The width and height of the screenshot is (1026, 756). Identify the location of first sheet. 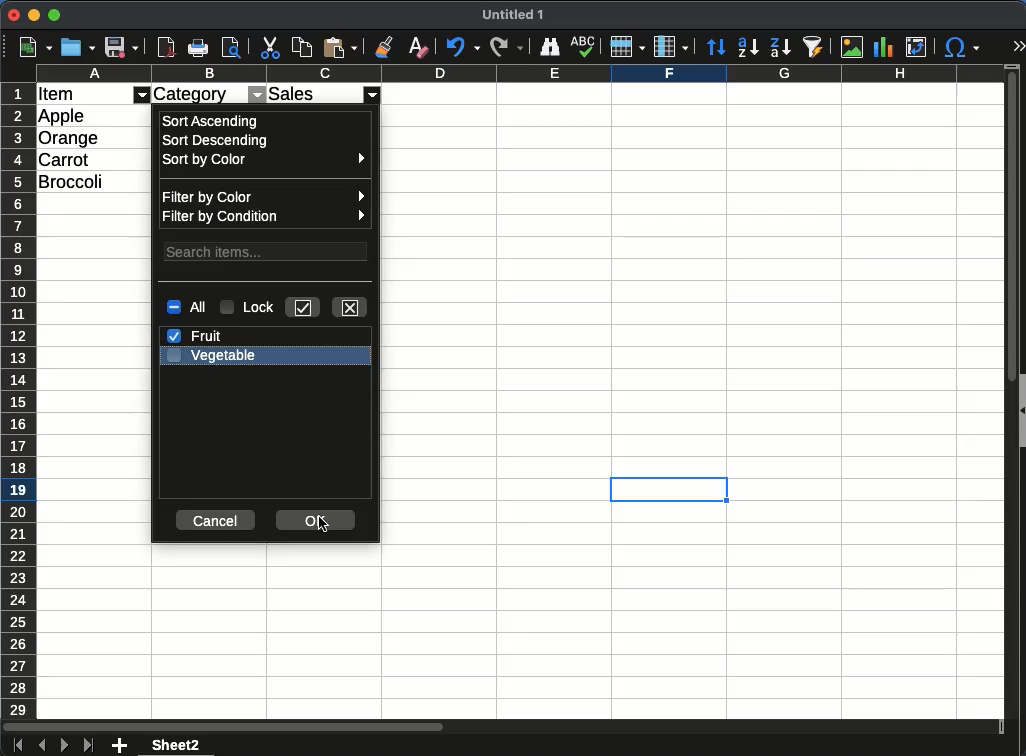
(17, 746).